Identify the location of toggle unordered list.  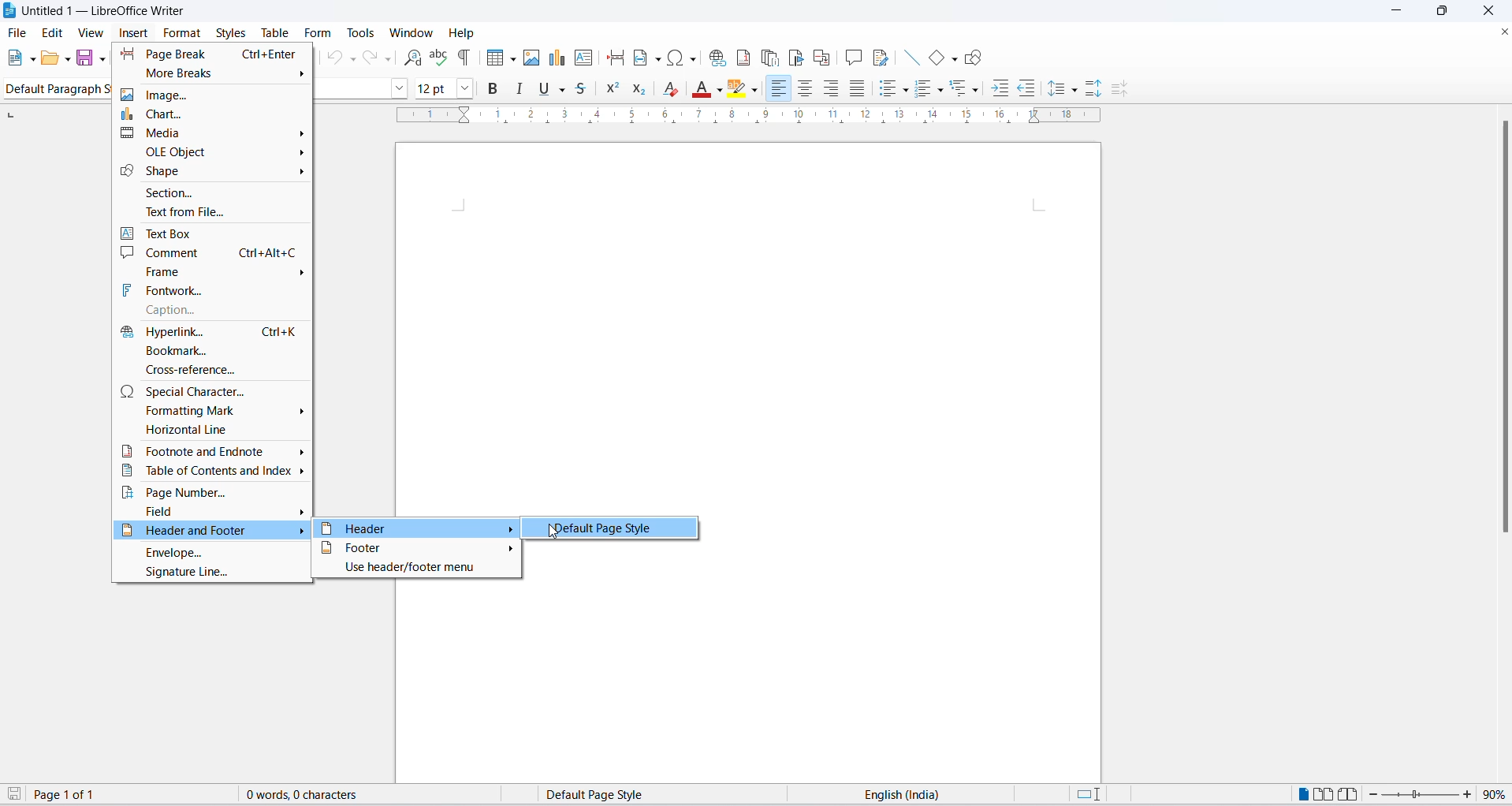
(906, 91).